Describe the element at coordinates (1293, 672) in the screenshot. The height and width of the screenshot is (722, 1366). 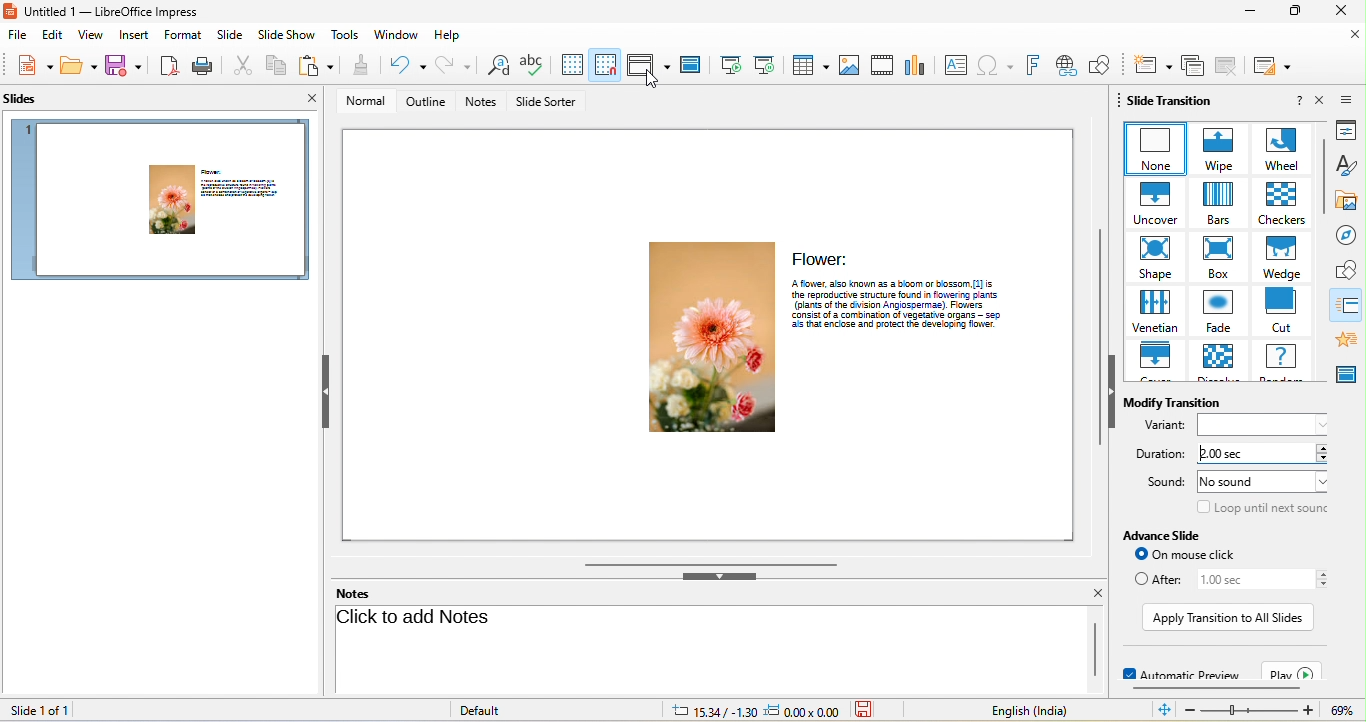
I see `play` at that location.